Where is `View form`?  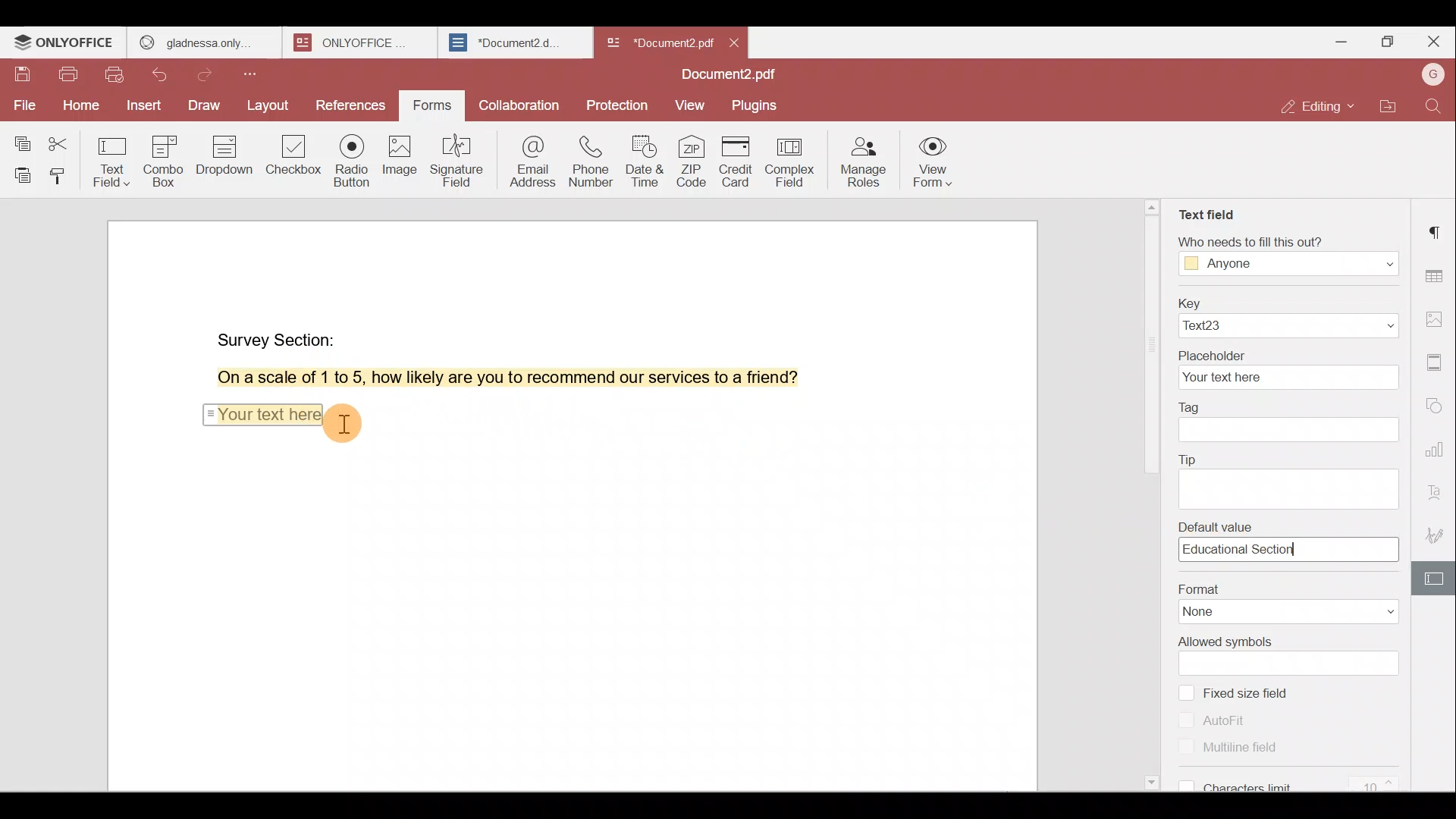
View form is located at coordinates (933, 164).